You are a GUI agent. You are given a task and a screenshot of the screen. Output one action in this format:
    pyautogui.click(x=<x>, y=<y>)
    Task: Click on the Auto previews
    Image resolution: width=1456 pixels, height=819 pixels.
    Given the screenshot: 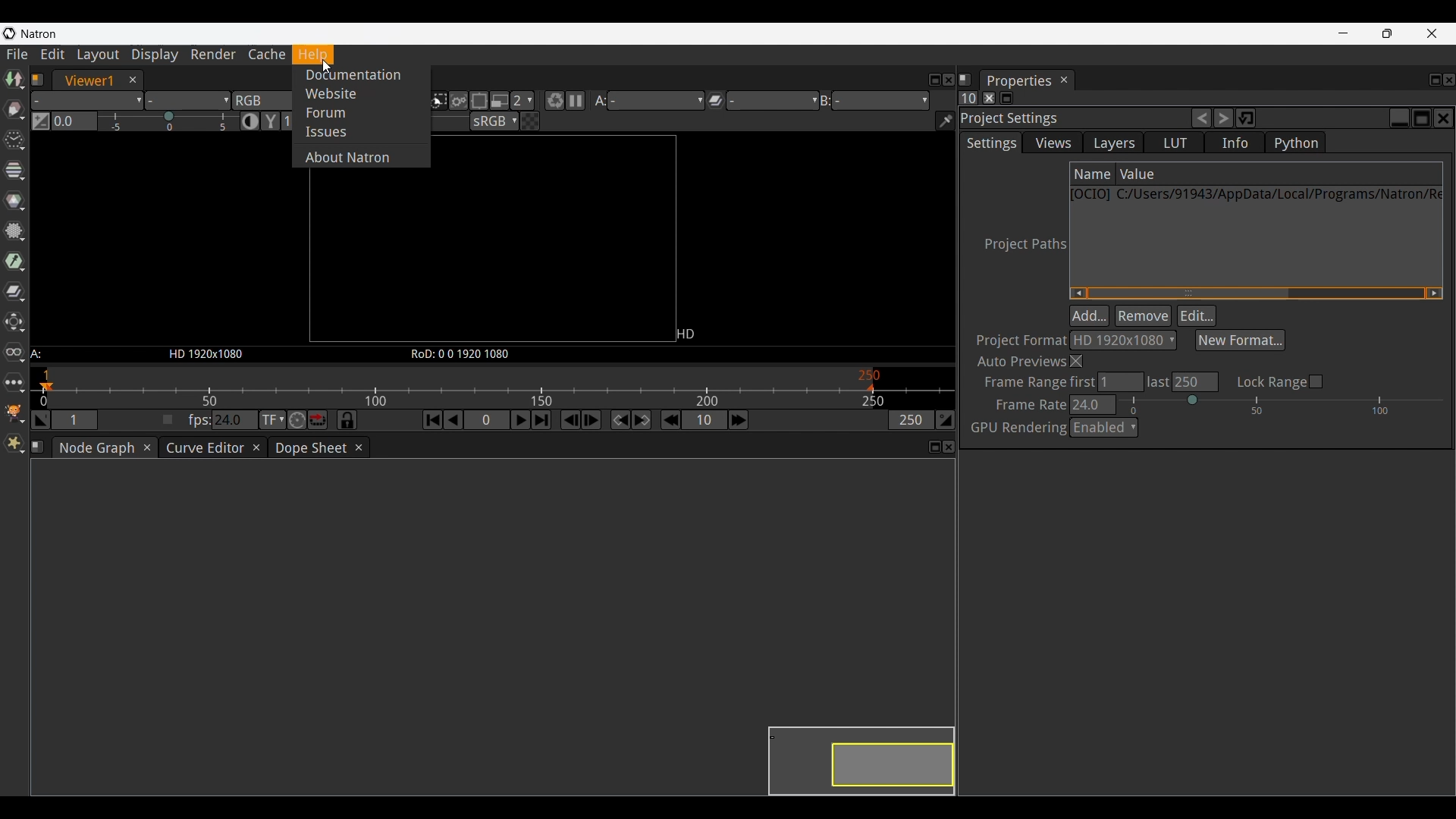 What is the action you would take?
    pyautogui.click(x=1022, y=360)
    